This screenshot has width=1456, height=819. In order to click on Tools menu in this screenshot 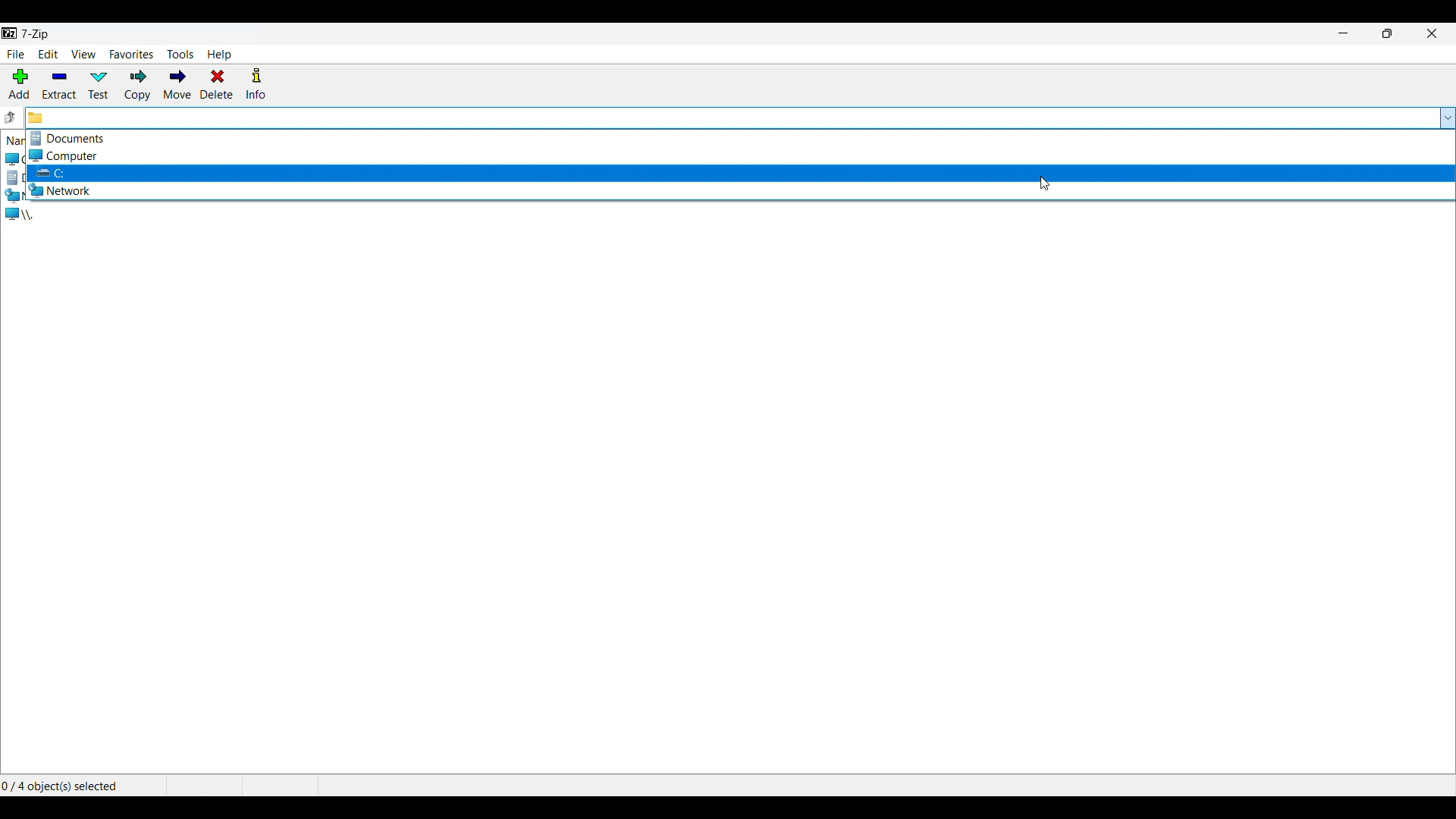, I will do `click(180, 55)`.